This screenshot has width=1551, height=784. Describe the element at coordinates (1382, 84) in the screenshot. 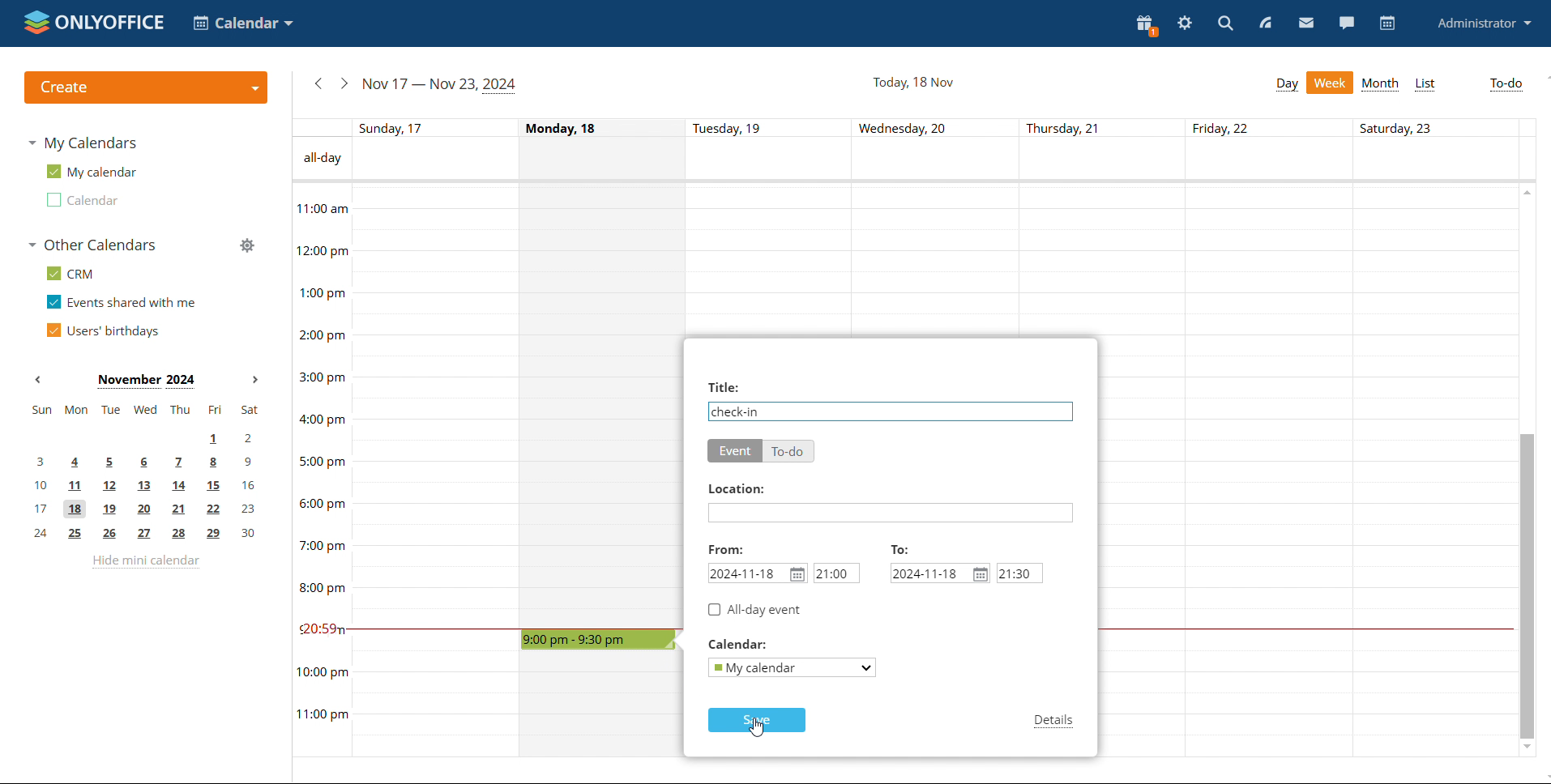

I see `month` at that location.